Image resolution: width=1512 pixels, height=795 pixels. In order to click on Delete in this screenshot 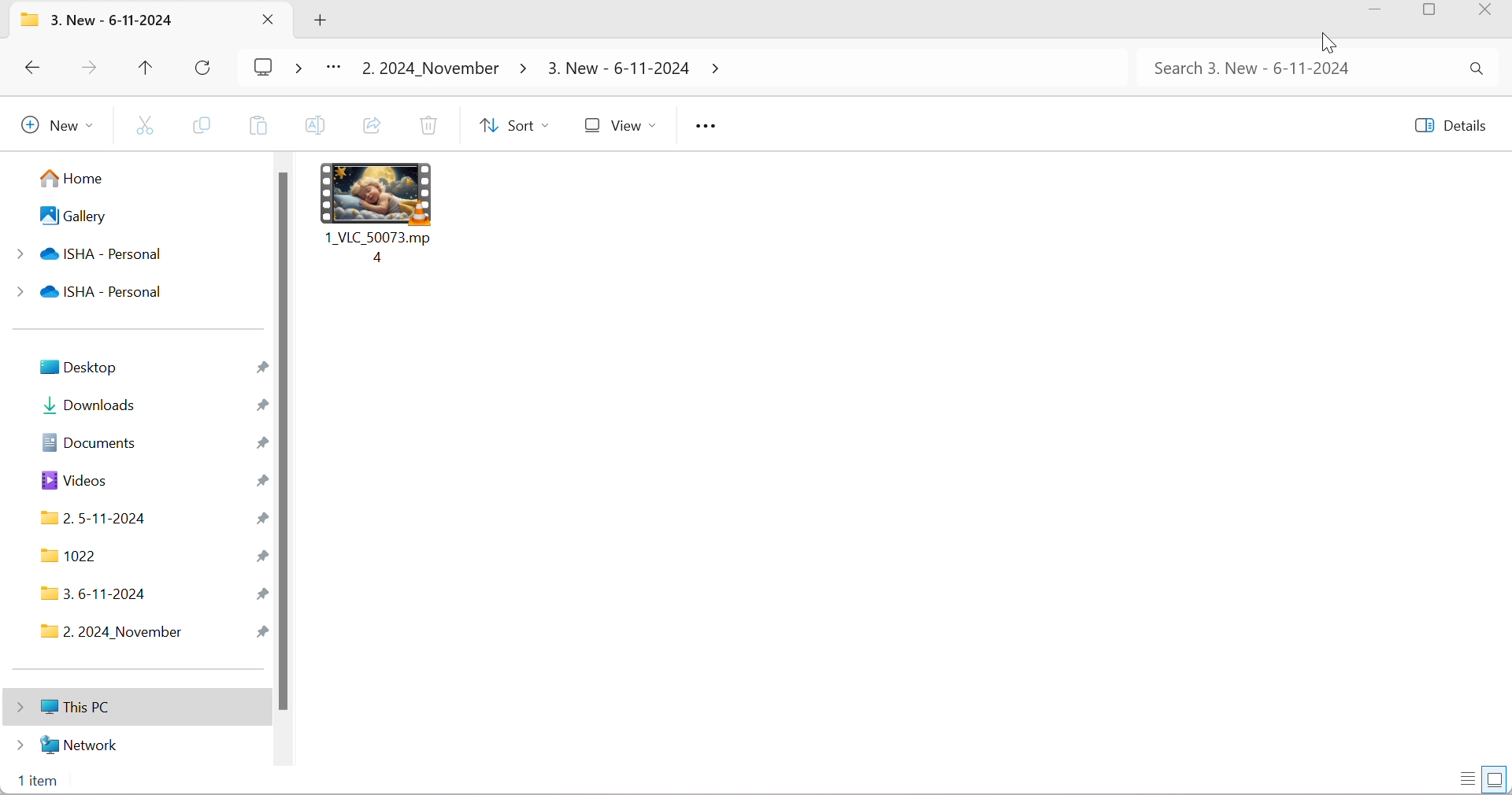, I will do `click(428, 125)`.